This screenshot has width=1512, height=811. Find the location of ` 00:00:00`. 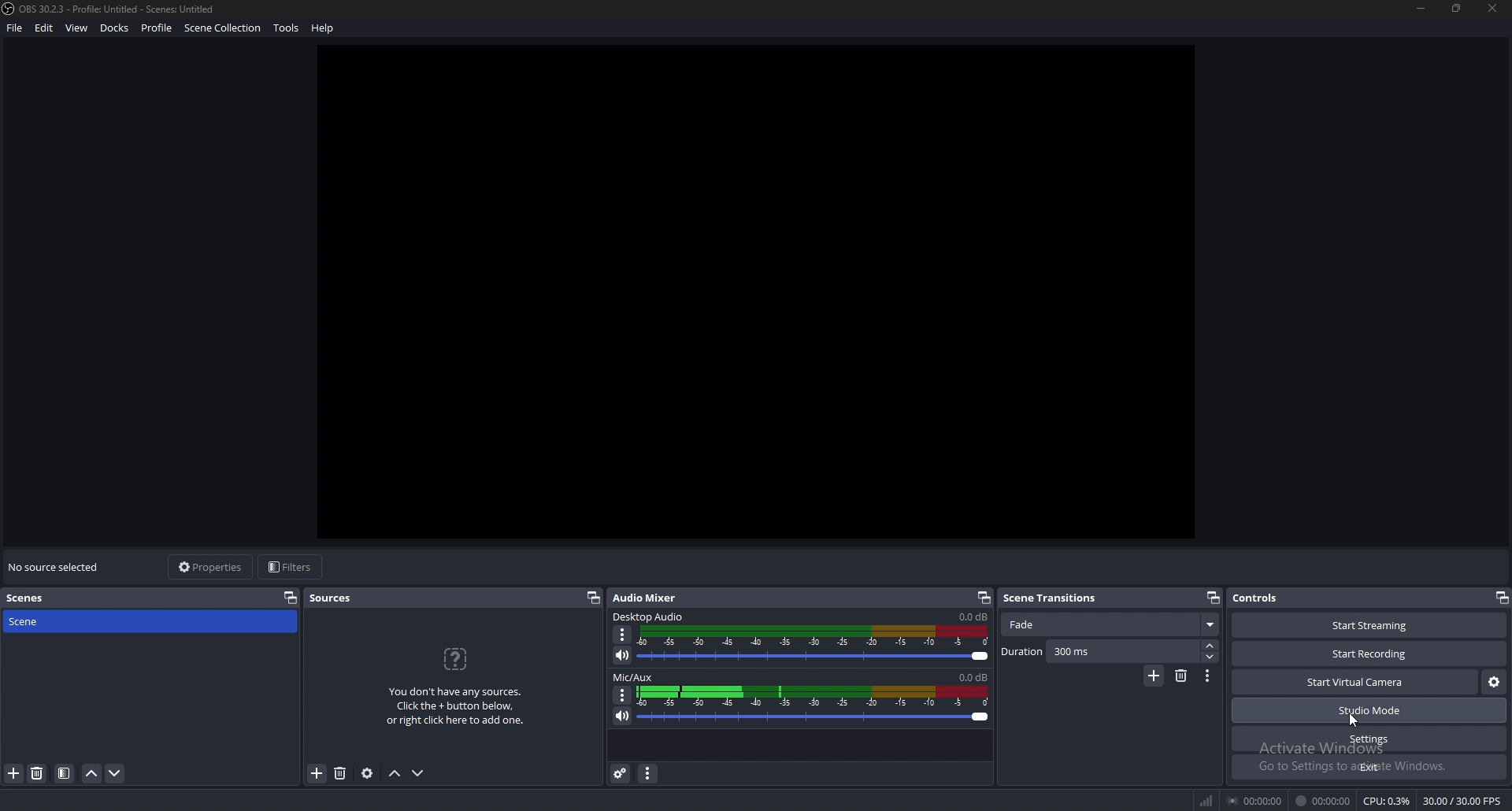

 00:00:00 is located at coordinates (1324, 801).